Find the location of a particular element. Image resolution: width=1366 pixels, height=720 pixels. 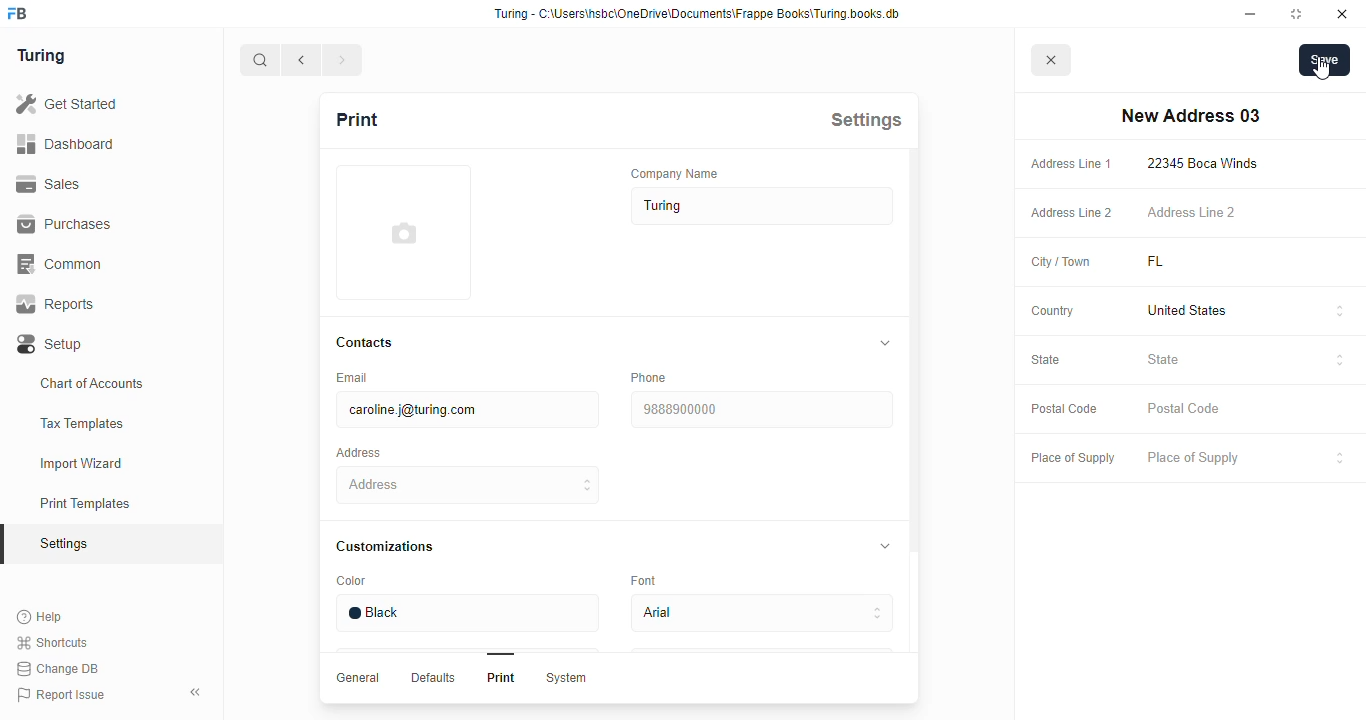

place of supply is located at coordinates (1247, 459).